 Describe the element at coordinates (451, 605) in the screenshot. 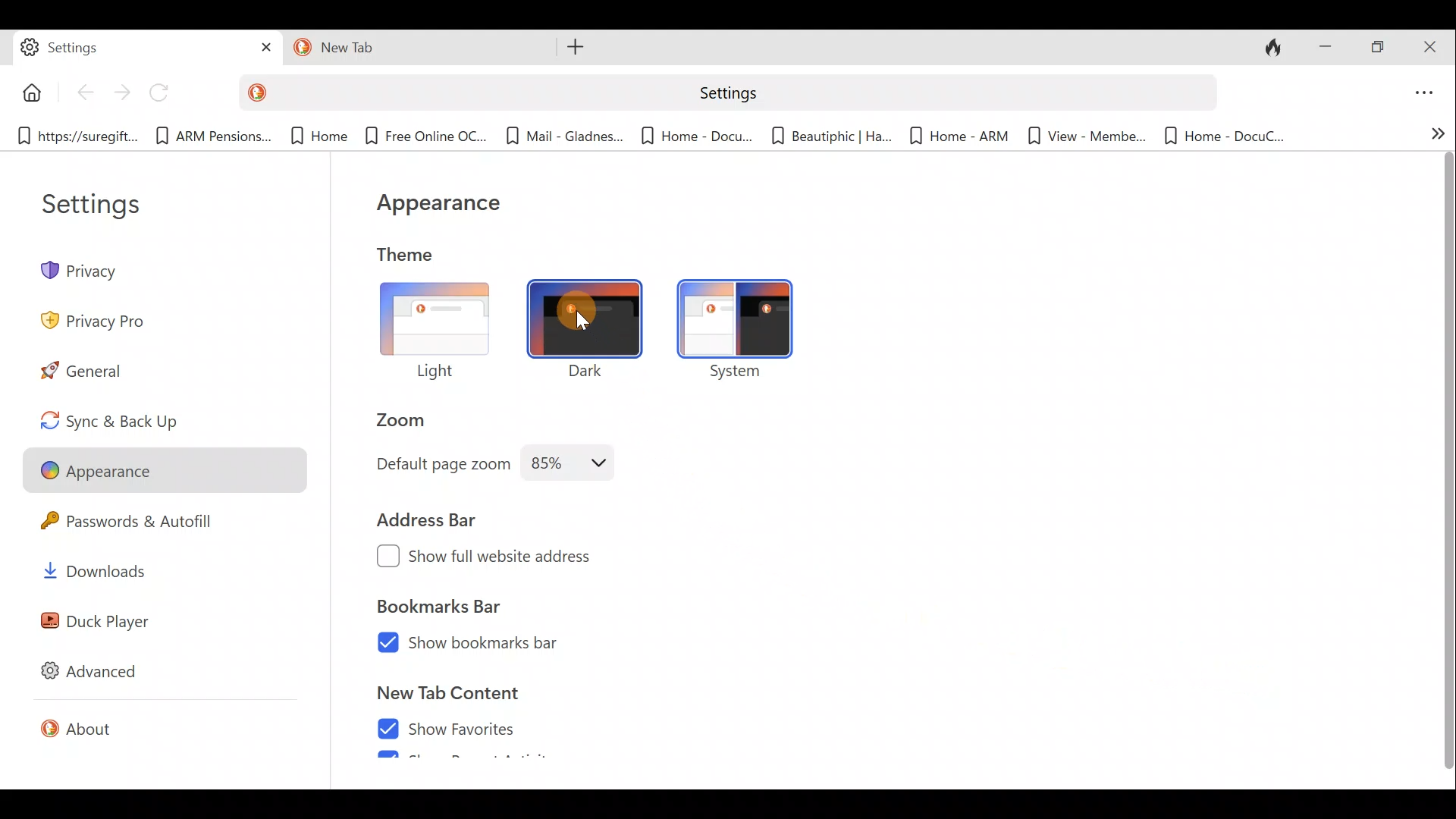

I see `Bookmarks bar` at that location.